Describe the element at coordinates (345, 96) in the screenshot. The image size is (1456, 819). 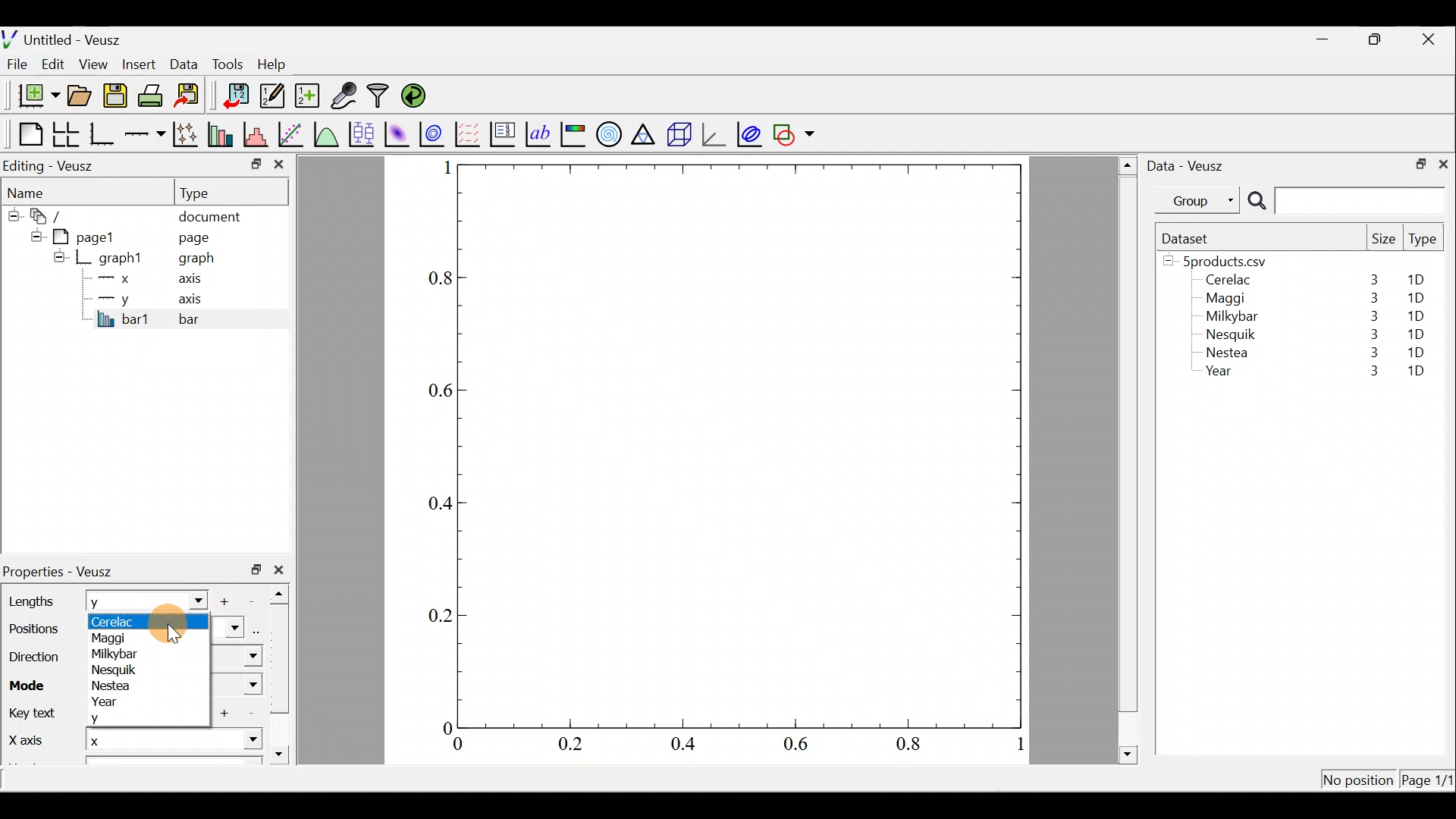
I see `Capture remote data` at that location.